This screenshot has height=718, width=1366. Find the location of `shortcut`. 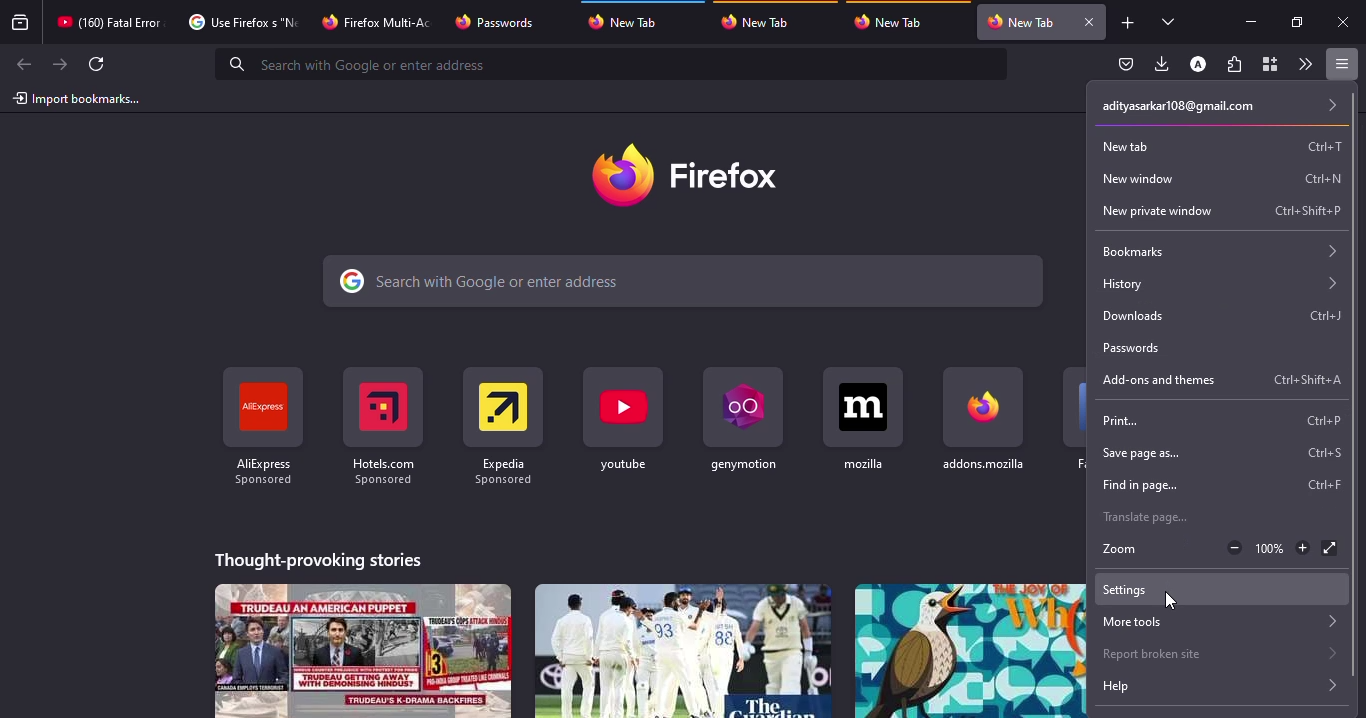

shortcut is located at coordinates (1322, 483).